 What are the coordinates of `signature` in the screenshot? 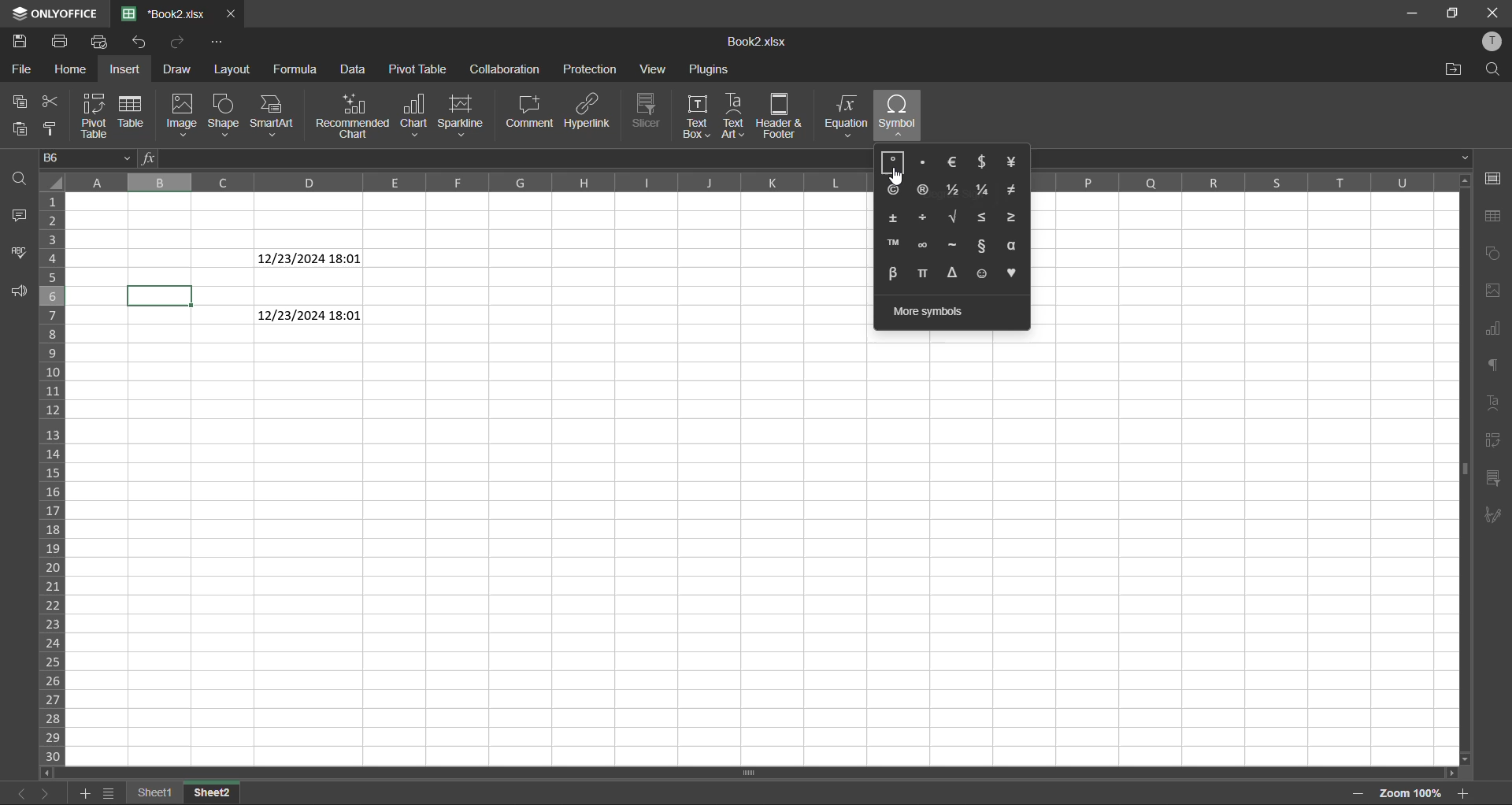 It's located at (1496, 515).